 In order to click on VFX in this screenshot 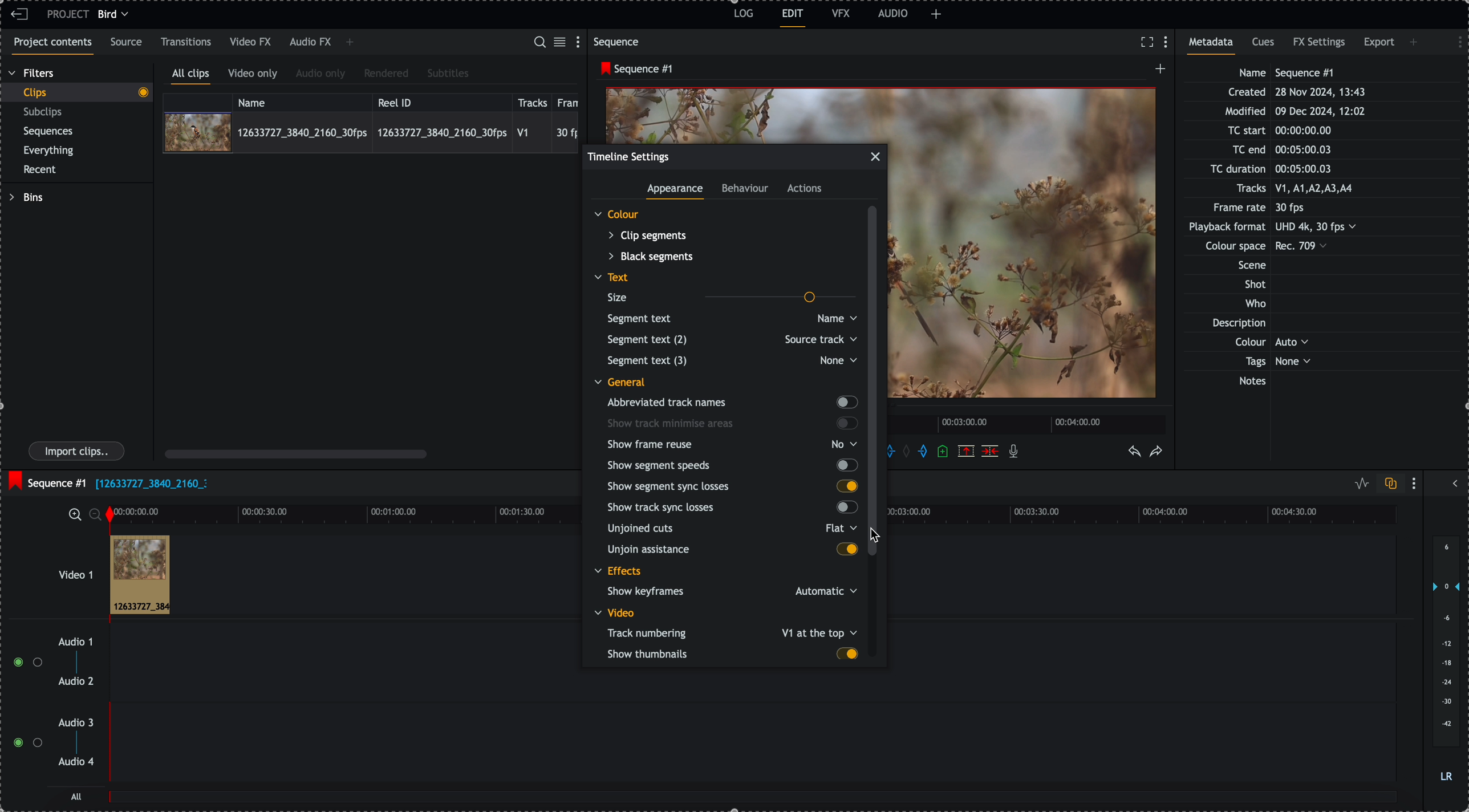, I will do `click(841, 13)`.